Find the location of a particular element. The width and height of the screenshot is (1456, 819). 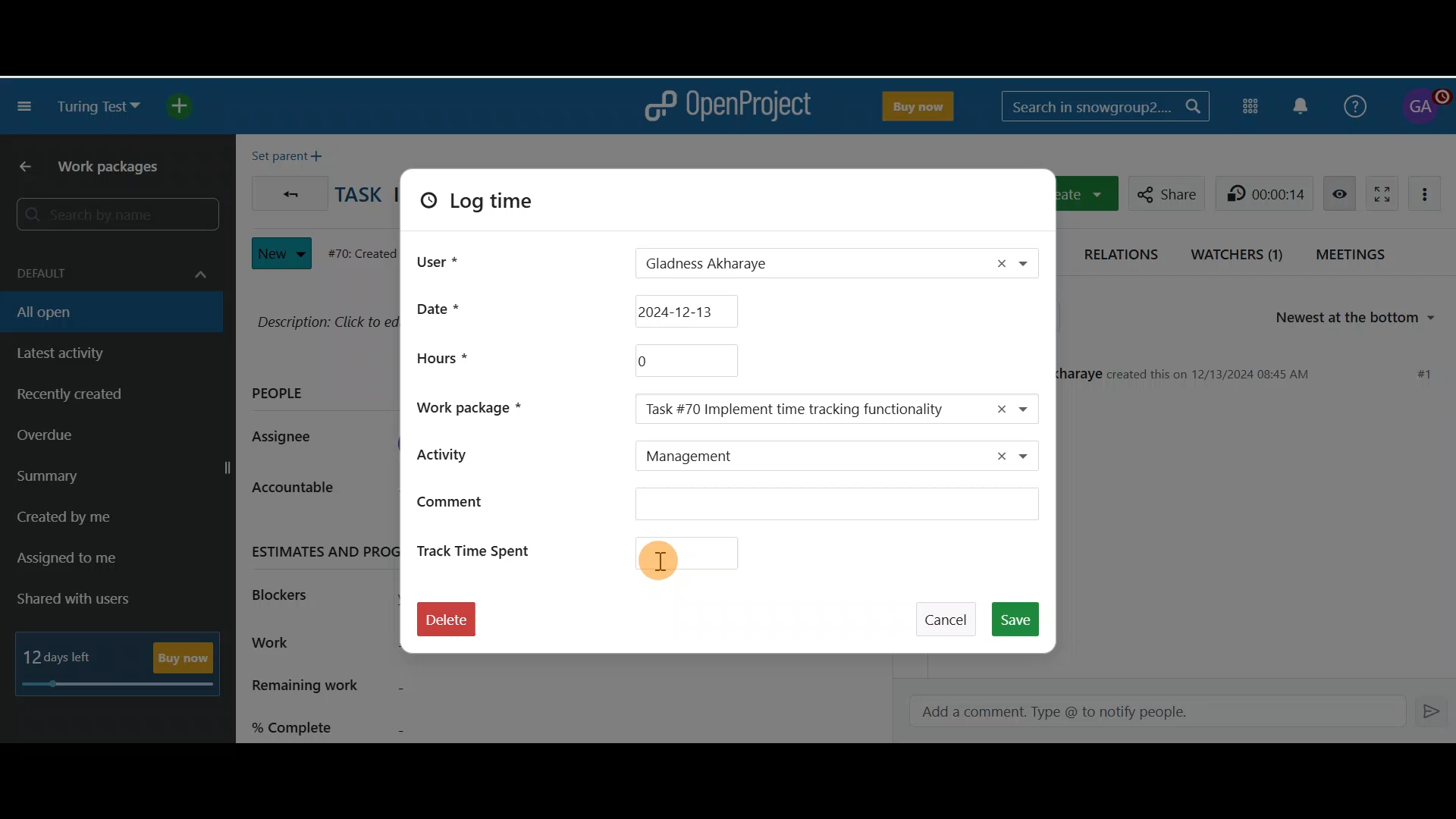

Modules is located at coordinates (1253, 104).